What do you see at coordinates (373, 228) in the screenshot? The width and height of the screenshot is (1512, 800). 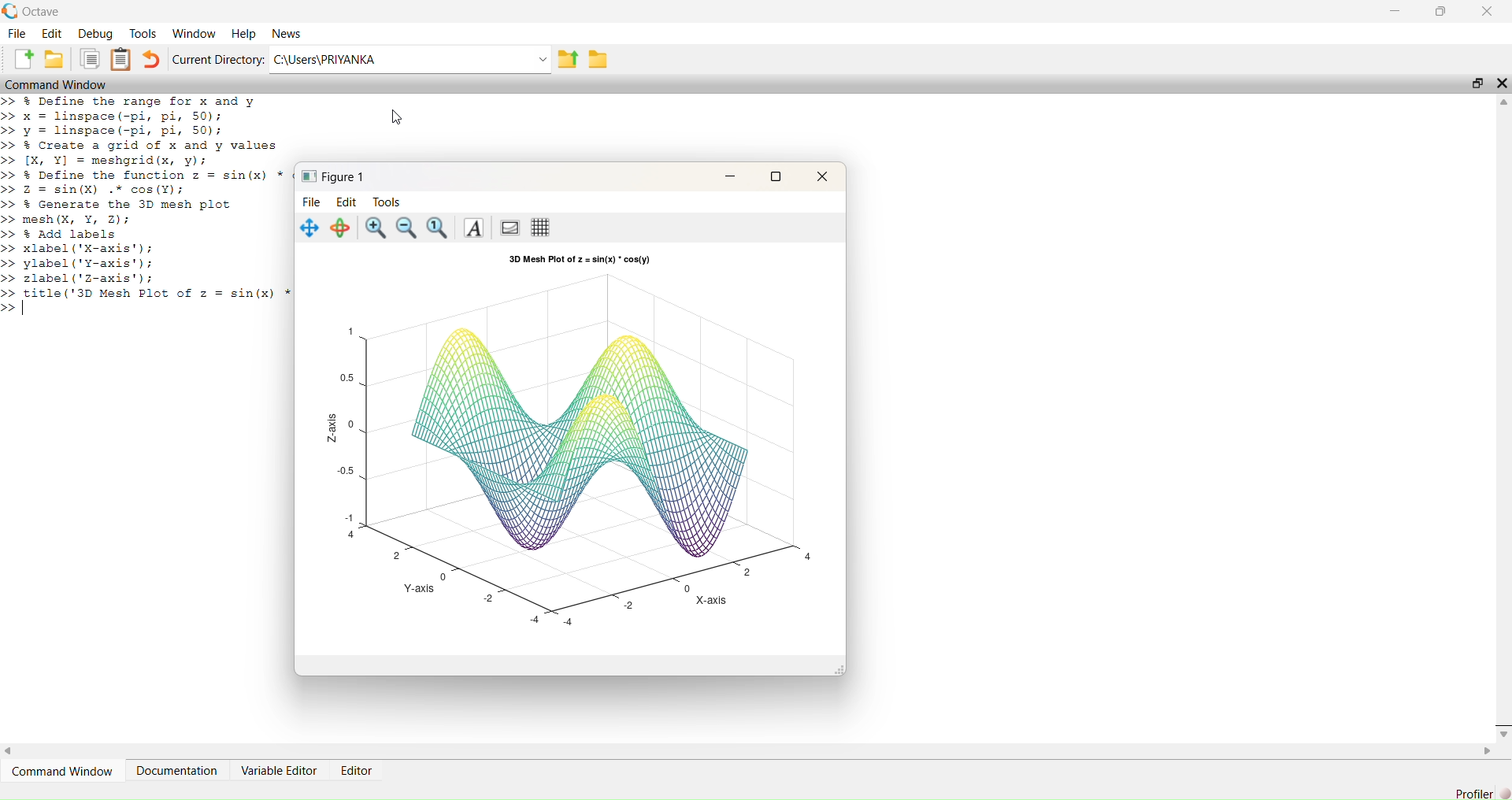 I see `Zoom in` at bounding box center [373, 228].